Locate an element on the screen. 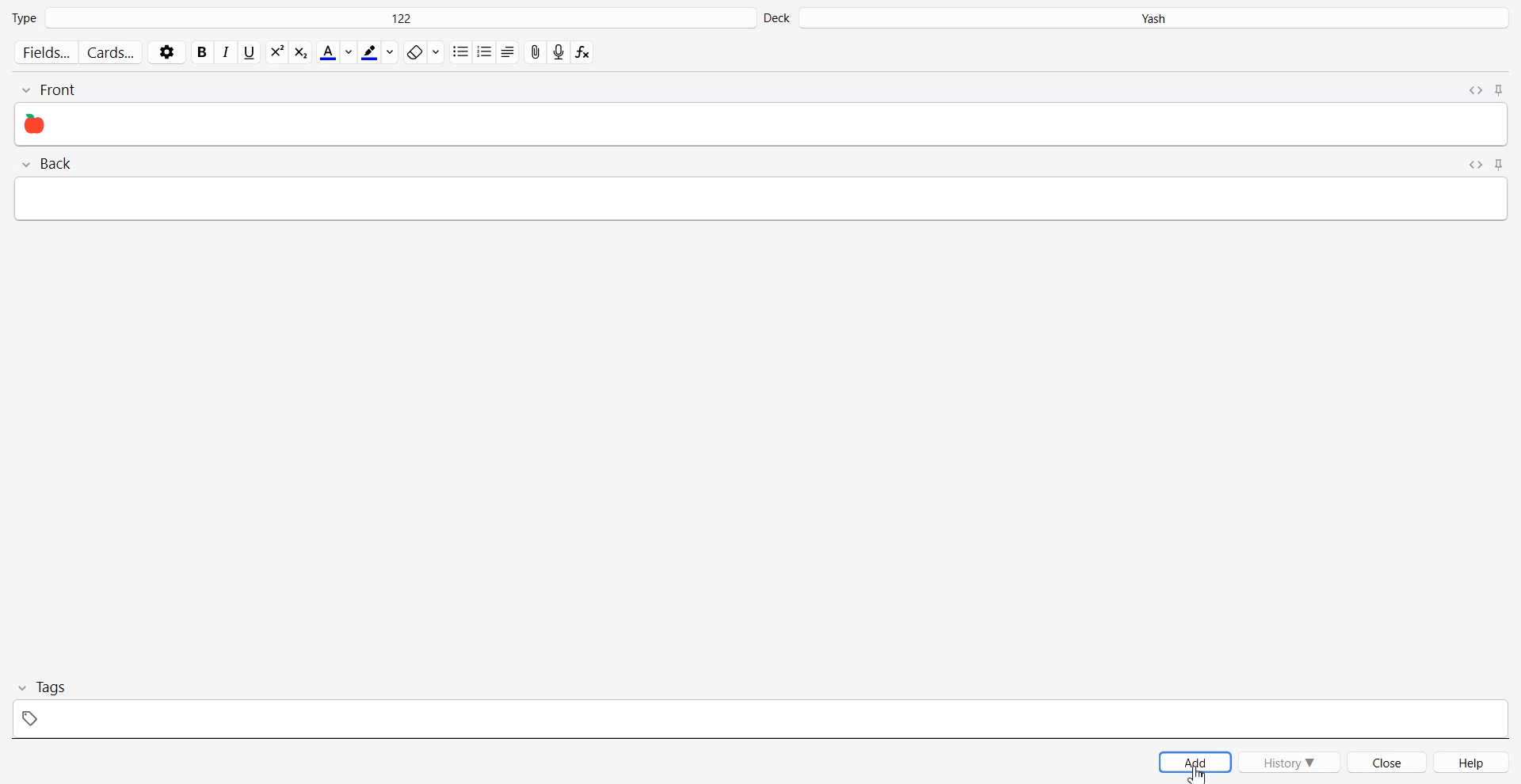 The height and width of the screenshot is (784, 1521). Back is located at coordinates (761, 190).